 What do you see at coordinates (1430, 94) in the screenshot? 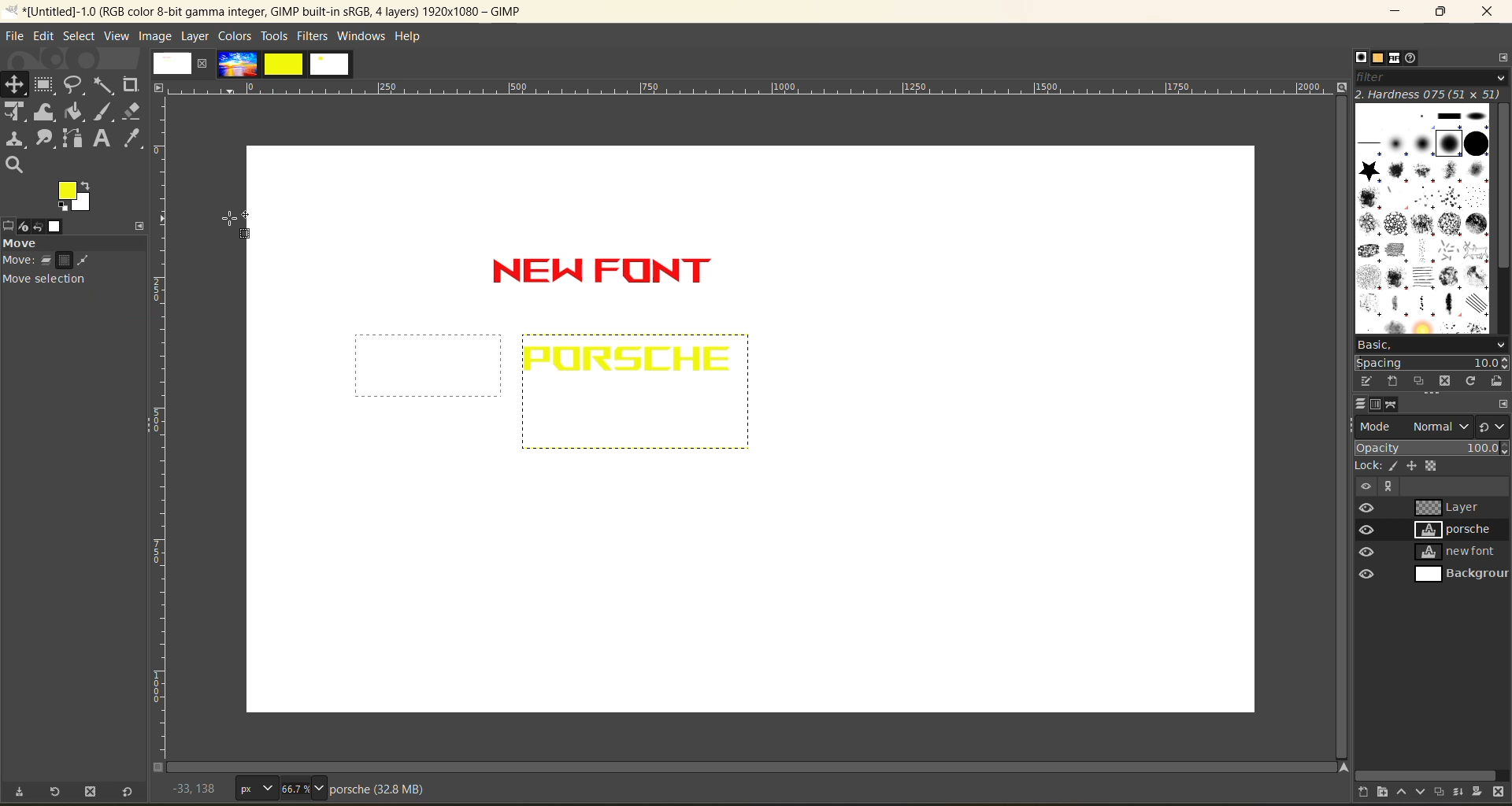
I see `hardness` at bounding box center [1430, 94].